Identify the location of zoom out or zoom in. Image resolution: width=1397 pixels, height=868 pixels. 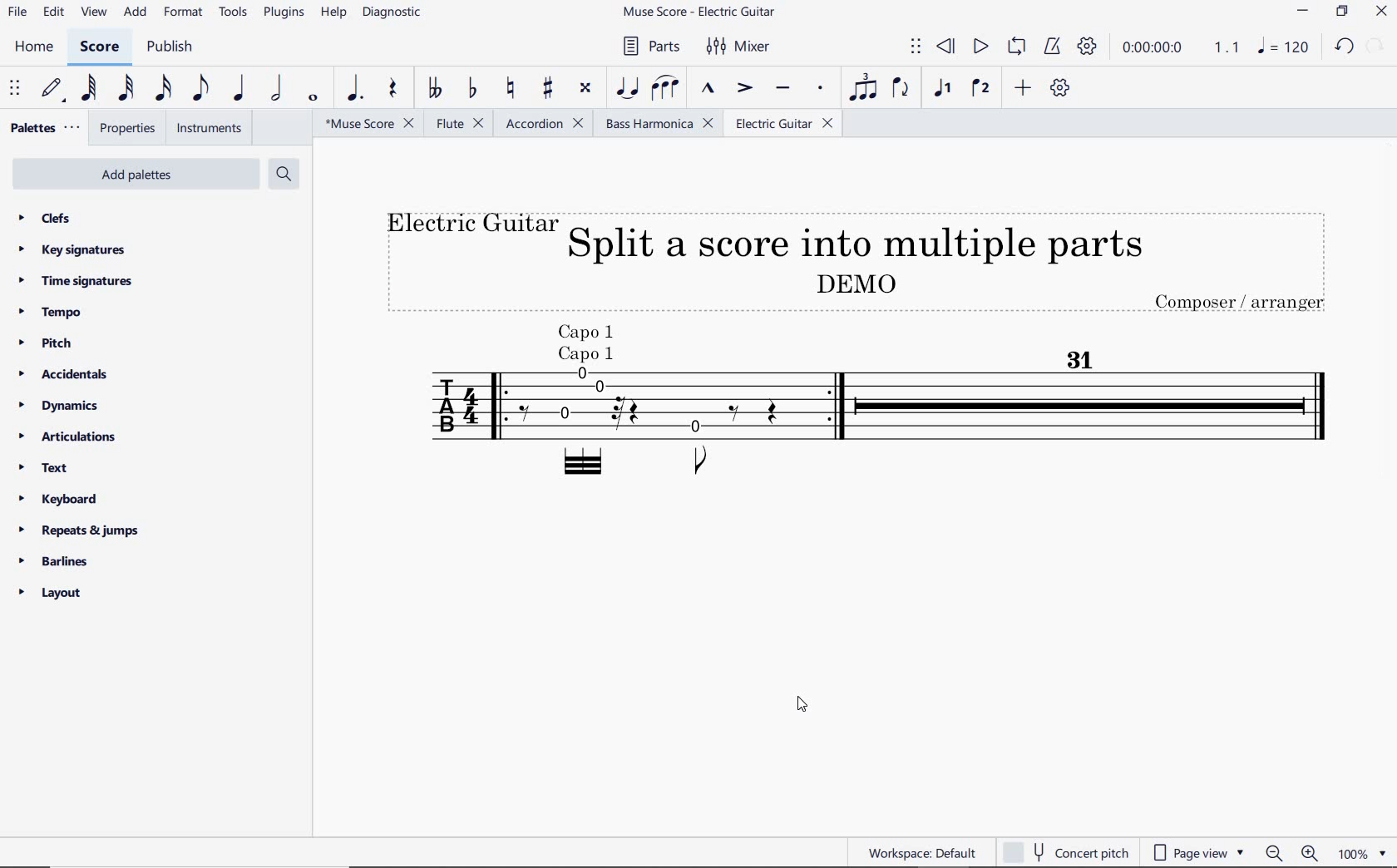
(1292, 854).